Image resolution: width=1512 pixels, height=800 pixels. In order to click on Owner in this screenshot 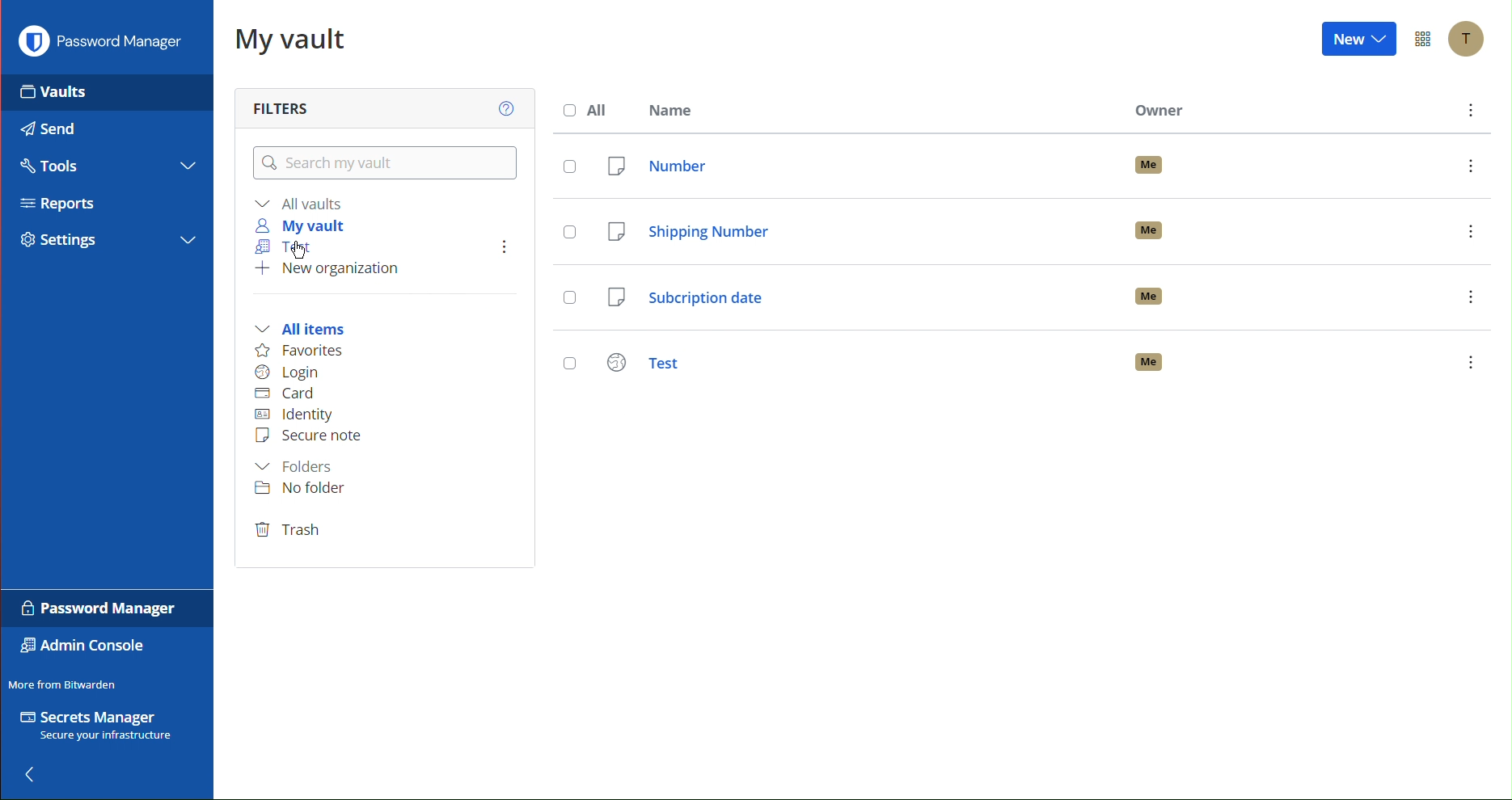, I will do `click(1159, 114)`.